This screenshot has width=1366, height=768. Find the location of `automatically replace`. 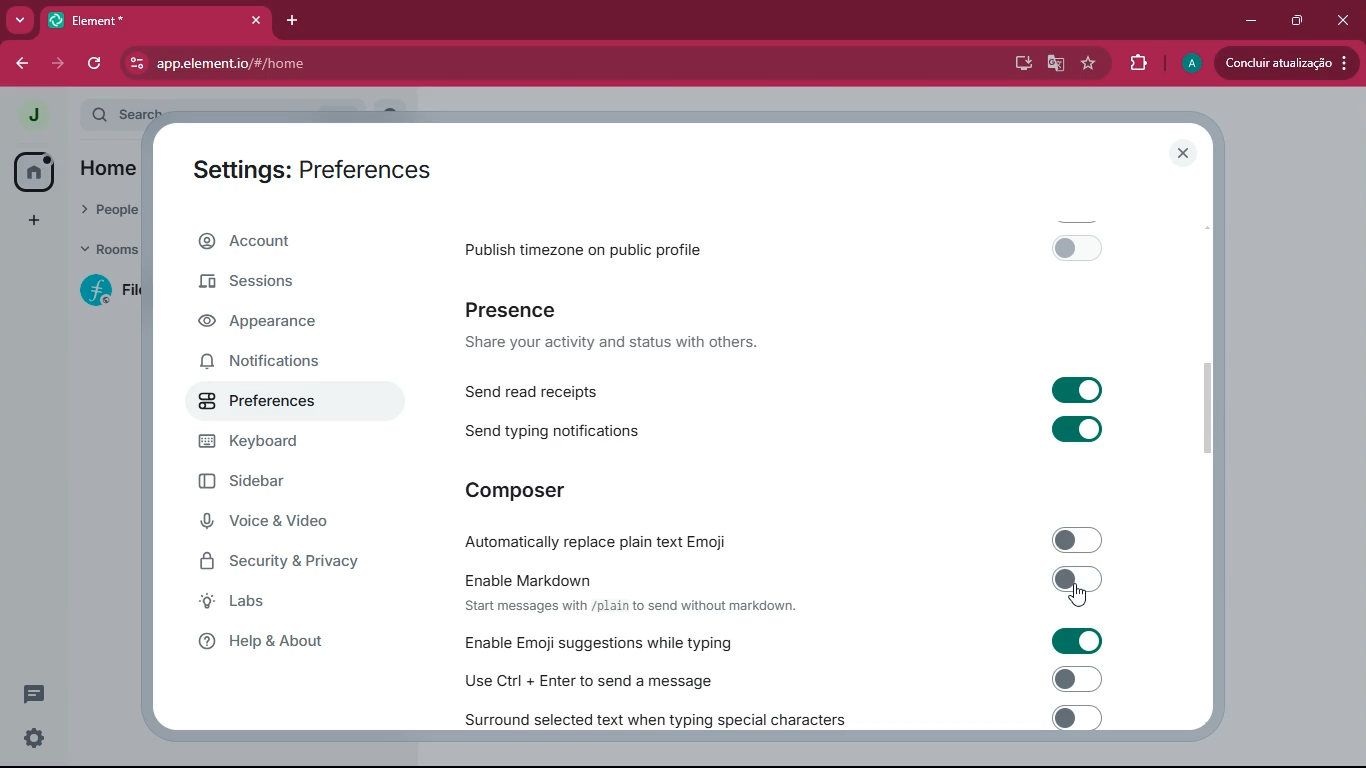

automatically replace is located at coordinates (784, 537).